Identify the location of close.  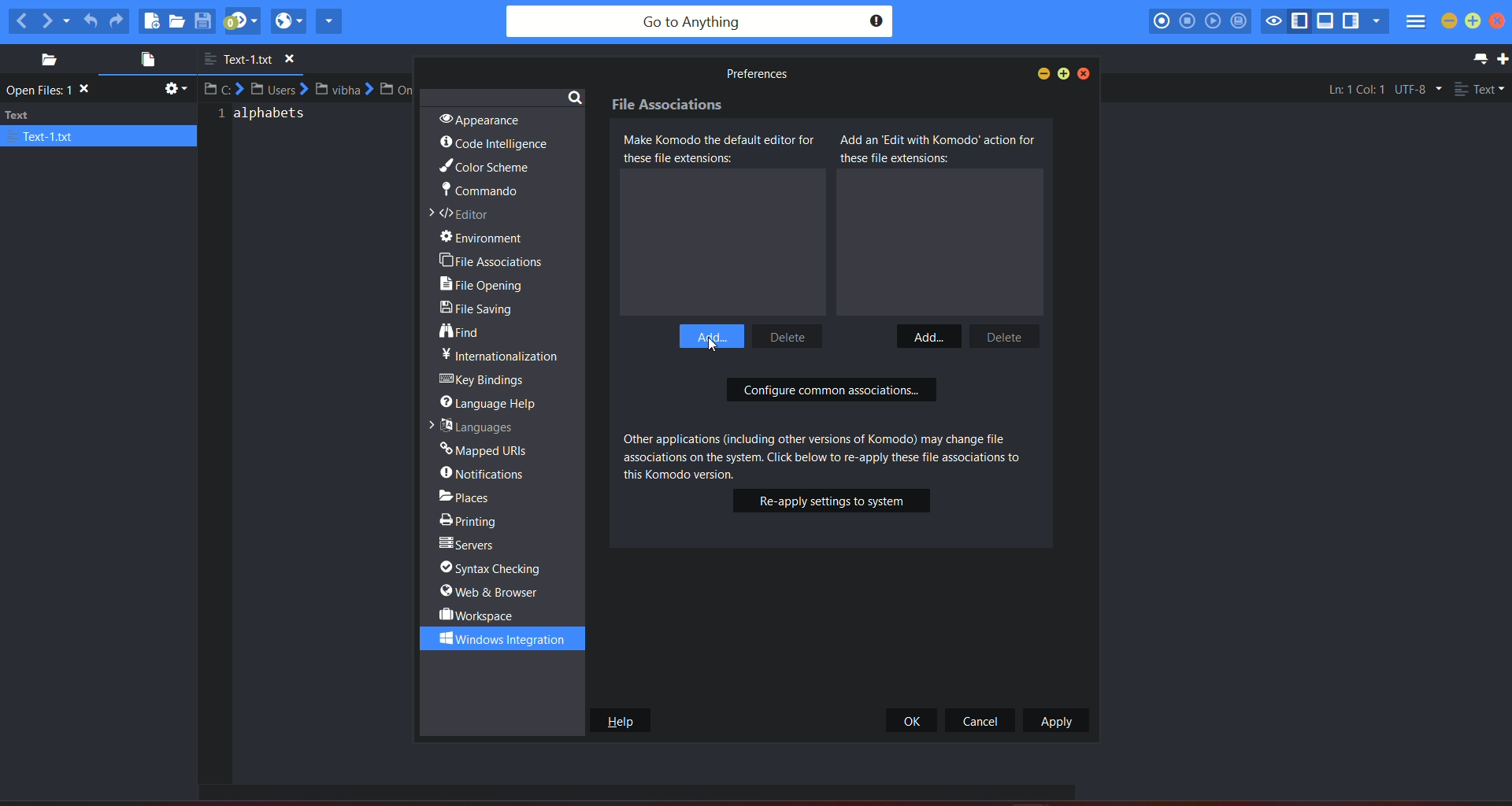
(1085, 73).